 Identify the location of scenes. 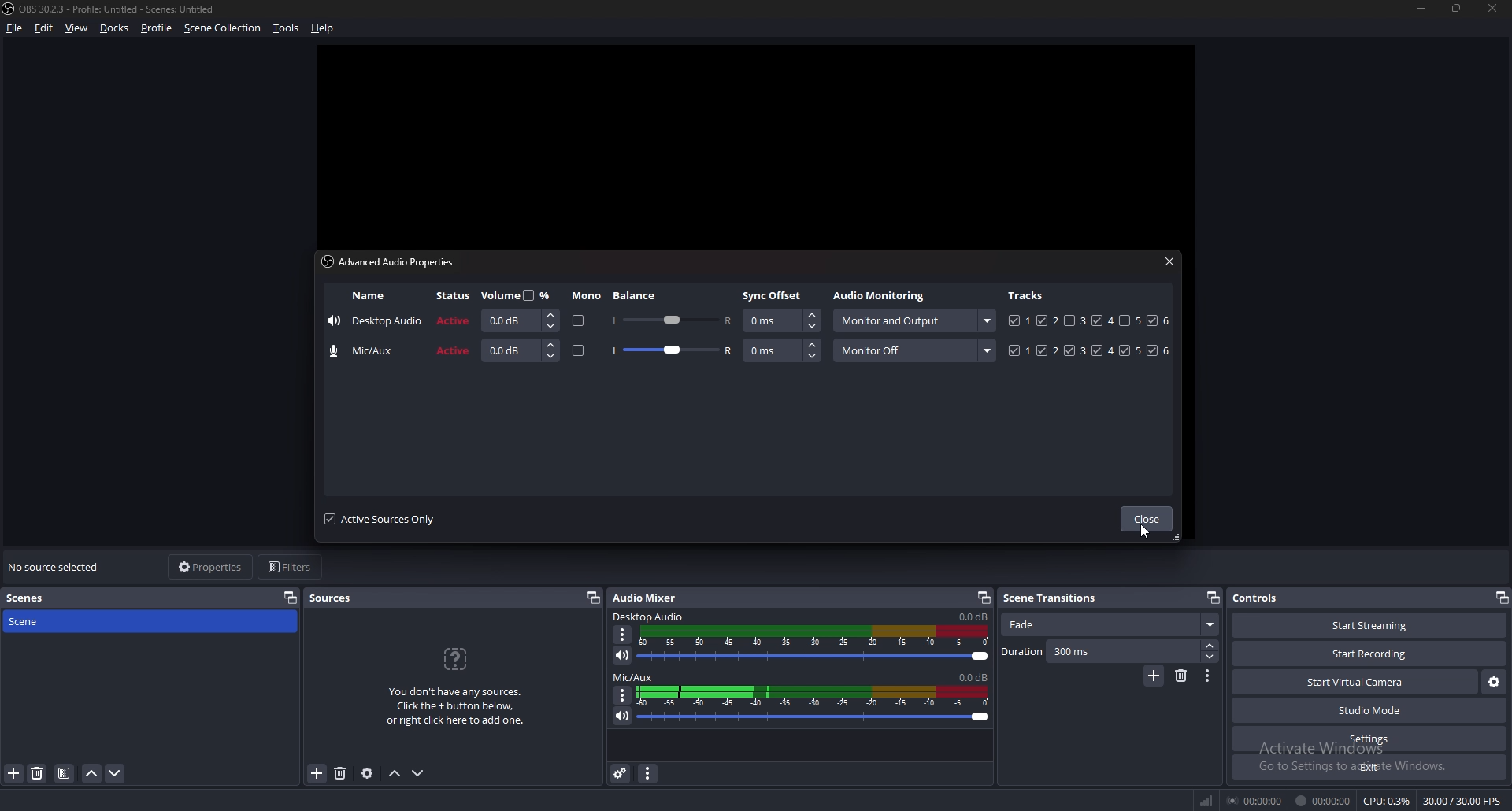
(34, 597).